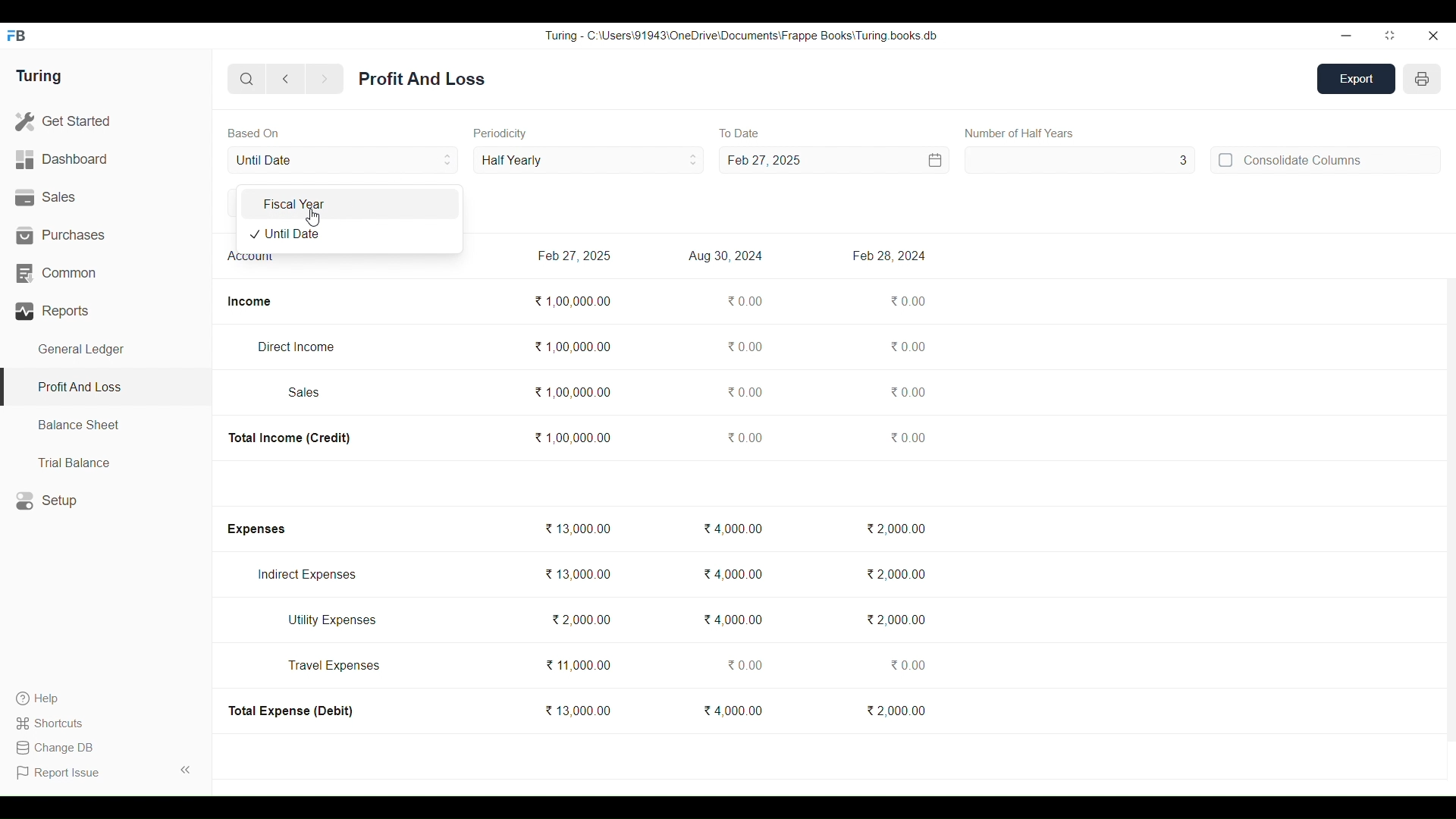 This screenshot has height=819, width=1456. What do you see at coordinates (733, 528) in the screenshot?
I see `4,000.00` at bounding box center [733, 528].